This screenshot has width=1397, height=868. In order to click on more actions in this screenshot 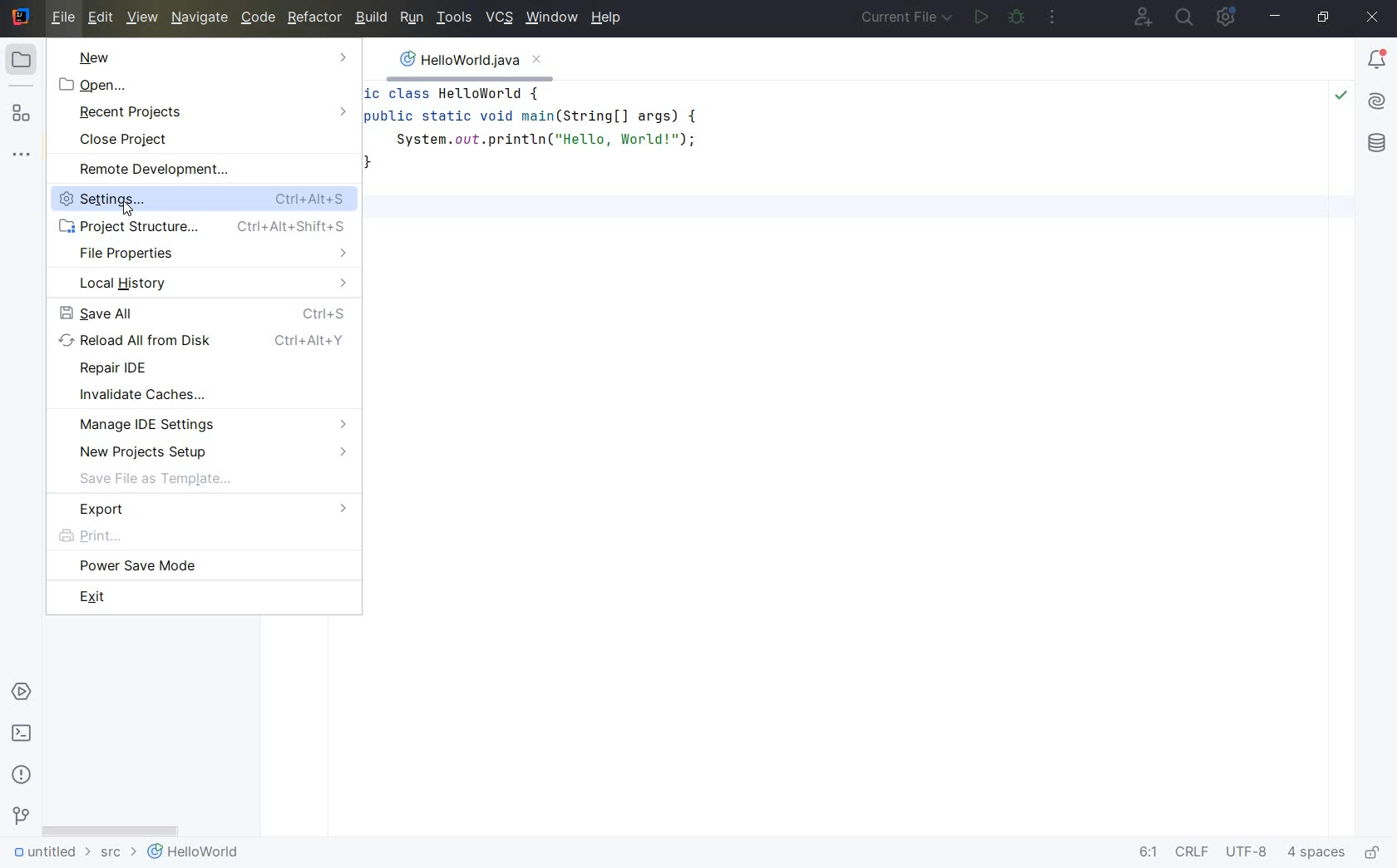, I will do `click(1054, 16)`.